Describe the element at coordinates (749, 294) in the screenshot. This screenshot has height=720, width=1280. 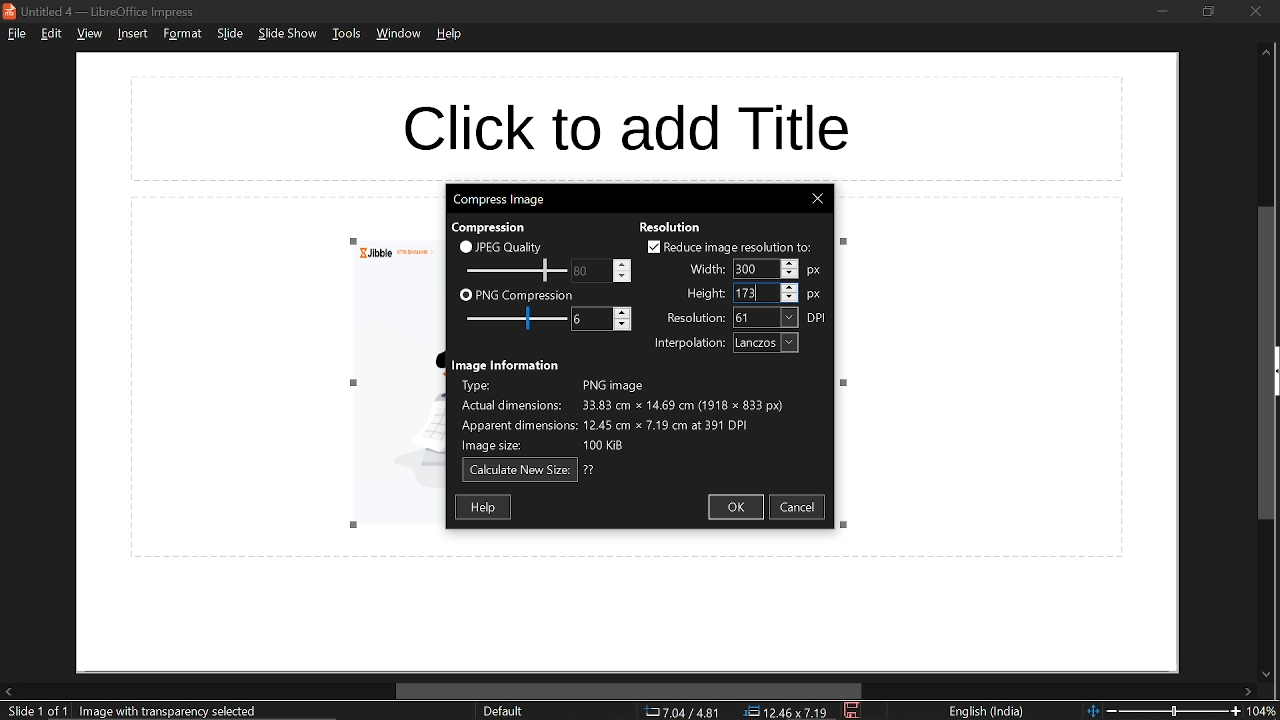
I see `height` at that location.